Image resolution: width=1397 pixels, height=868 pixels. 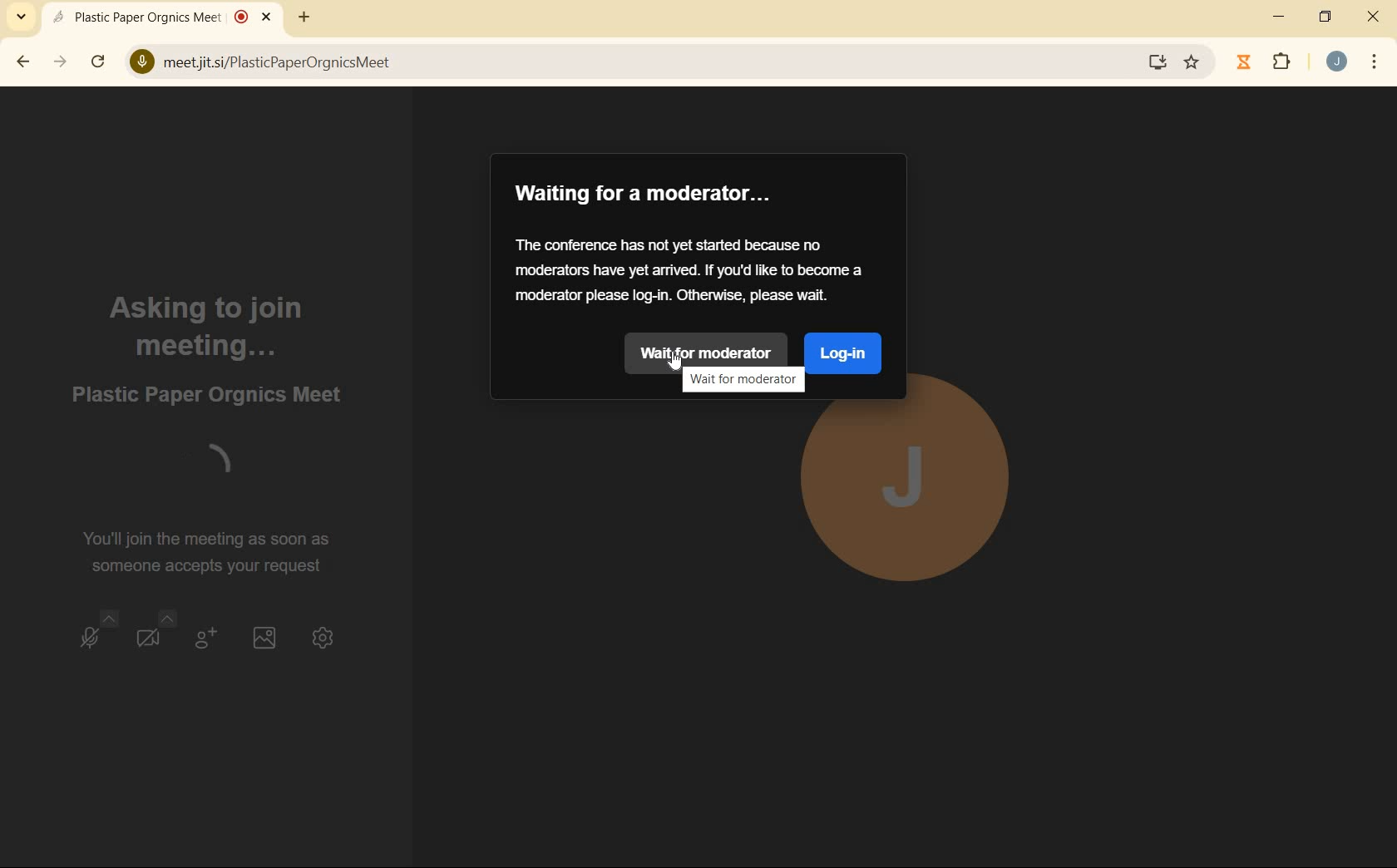 I want to click on microphone, so click(x=96, y=635).